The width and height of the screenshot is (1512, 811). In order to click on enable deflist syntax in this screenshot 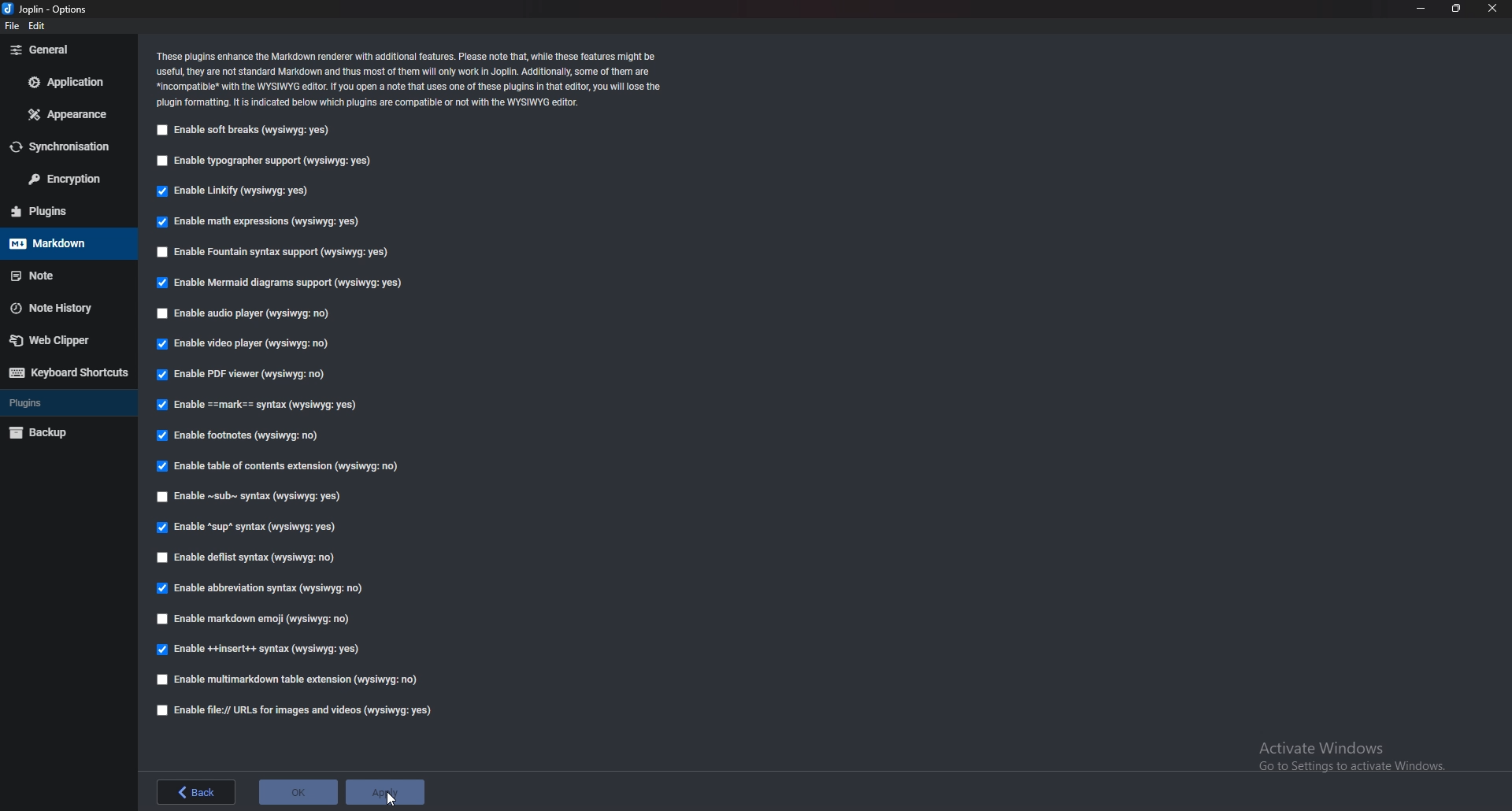, I will do `click(246, 557)`.